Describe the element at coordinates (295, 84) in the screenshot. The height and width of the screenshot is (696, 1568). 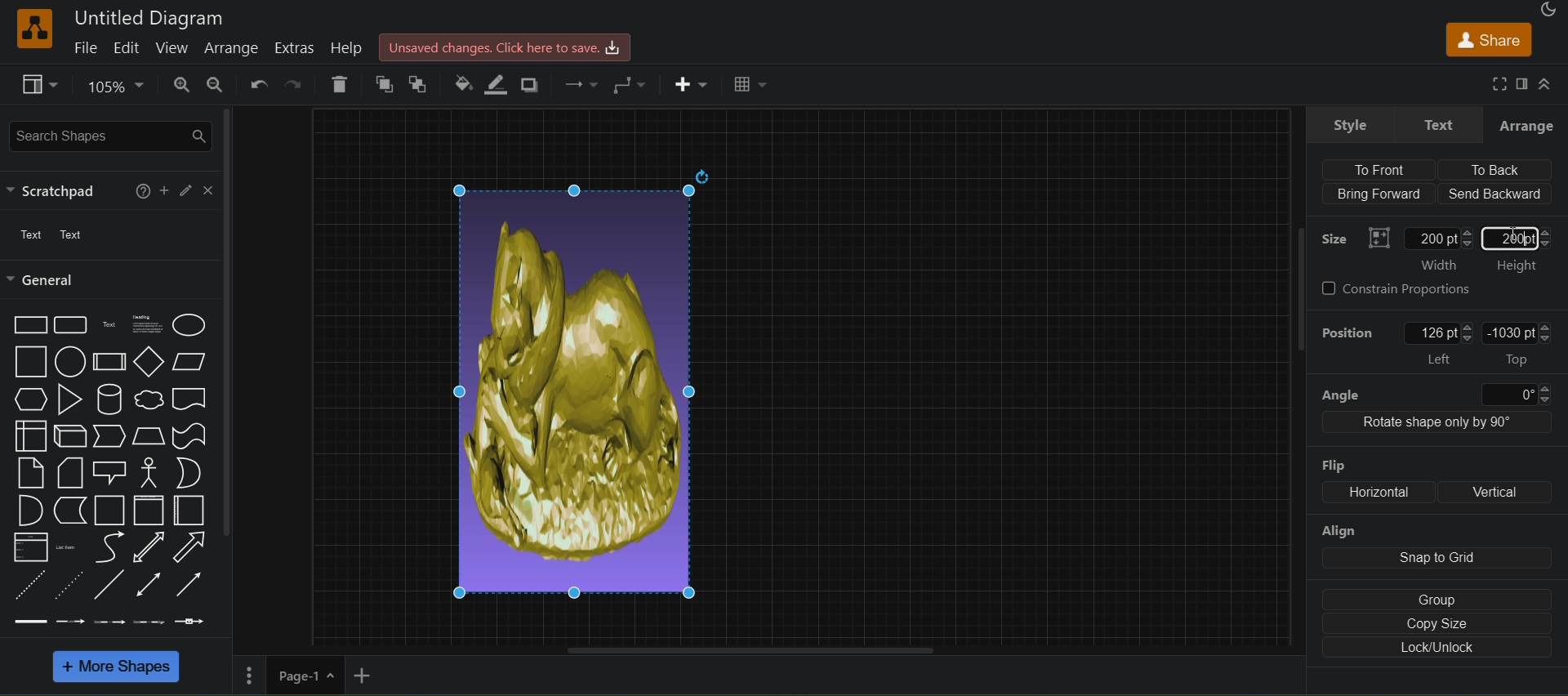
I see `redo` at that location.